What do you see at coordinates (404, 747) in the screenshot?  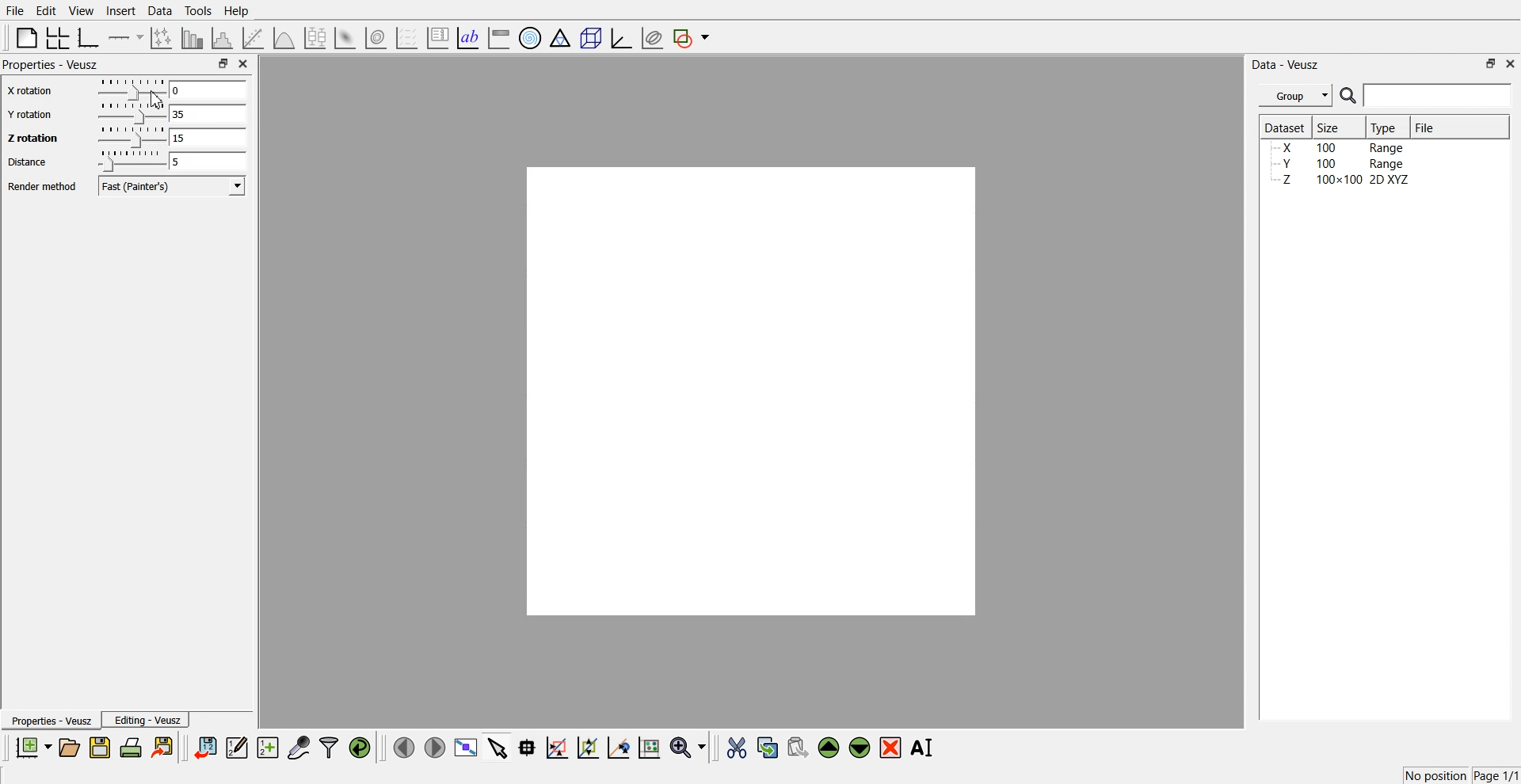 I see `Move to the previous page` at bounding box center [404, 747].